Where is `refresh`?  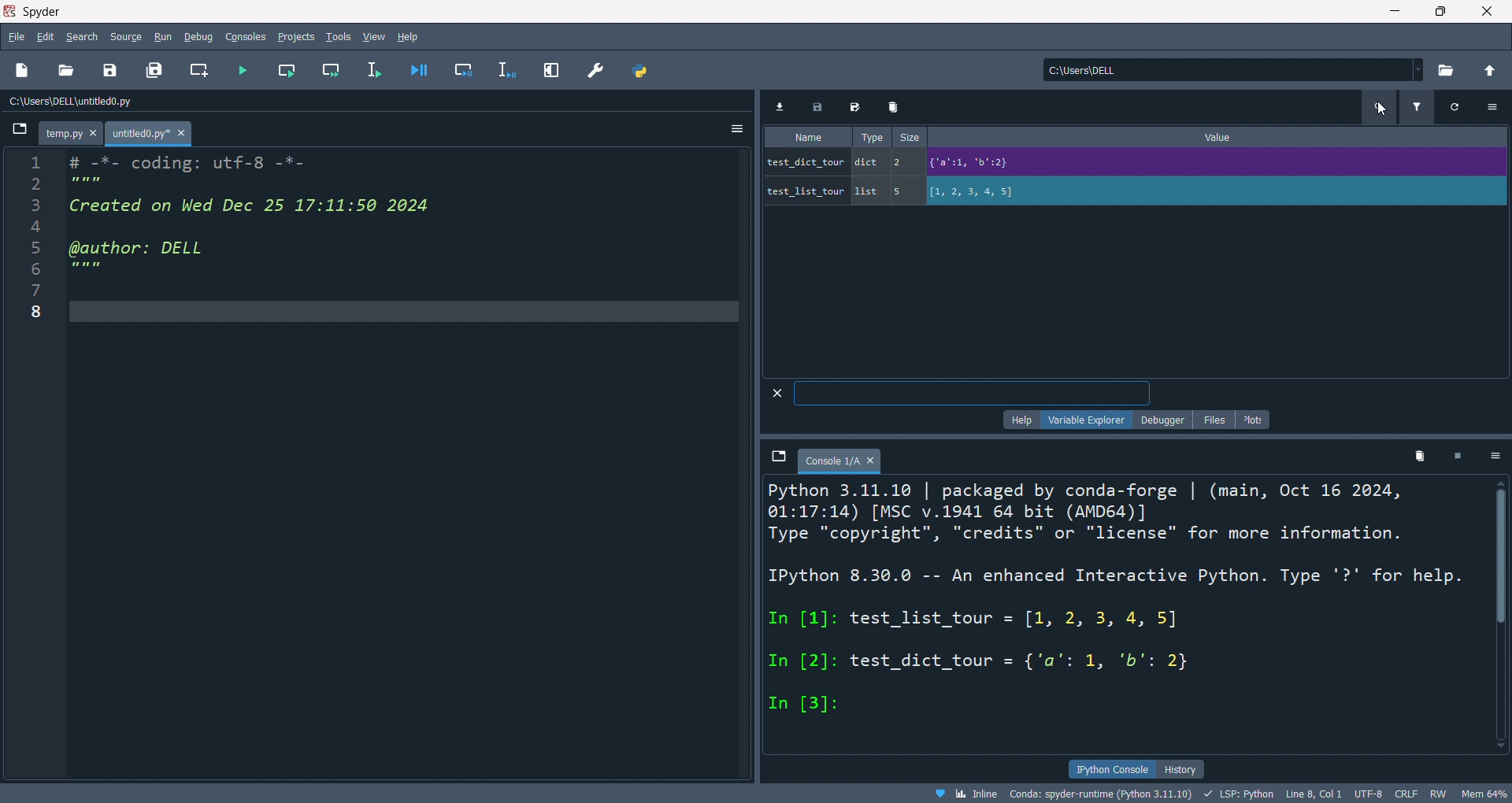
refresh is located at coordinates (1450, 111).